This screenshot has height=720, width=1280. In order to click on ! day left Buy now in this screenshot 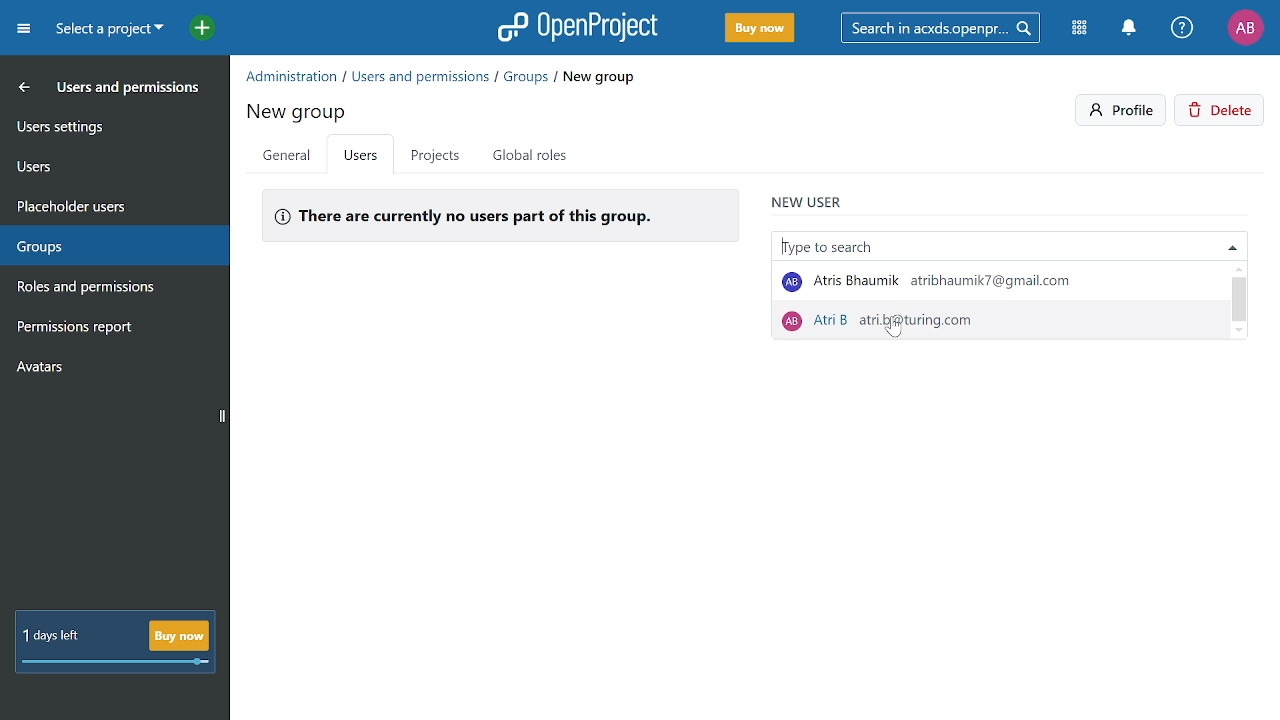, I will do `click(115, 643)`.